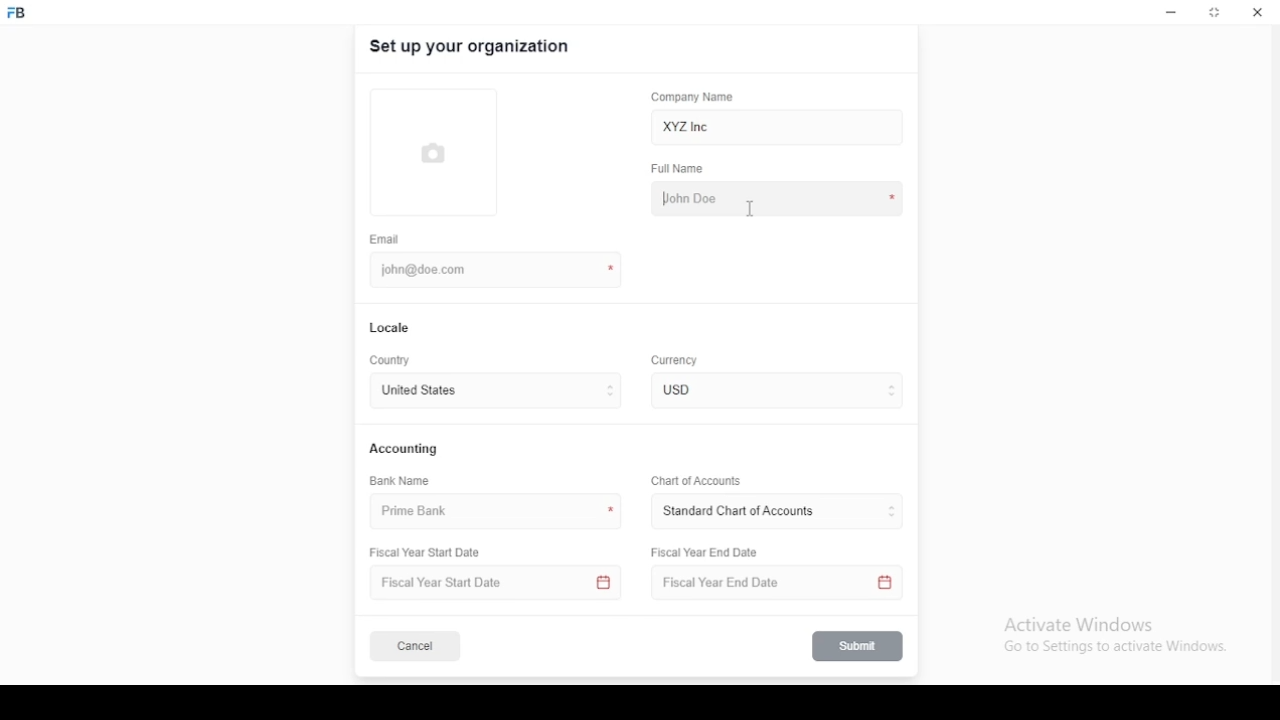  Describe the element at coordinates (859, 646) in the screenshot. I see `submit` at that location.